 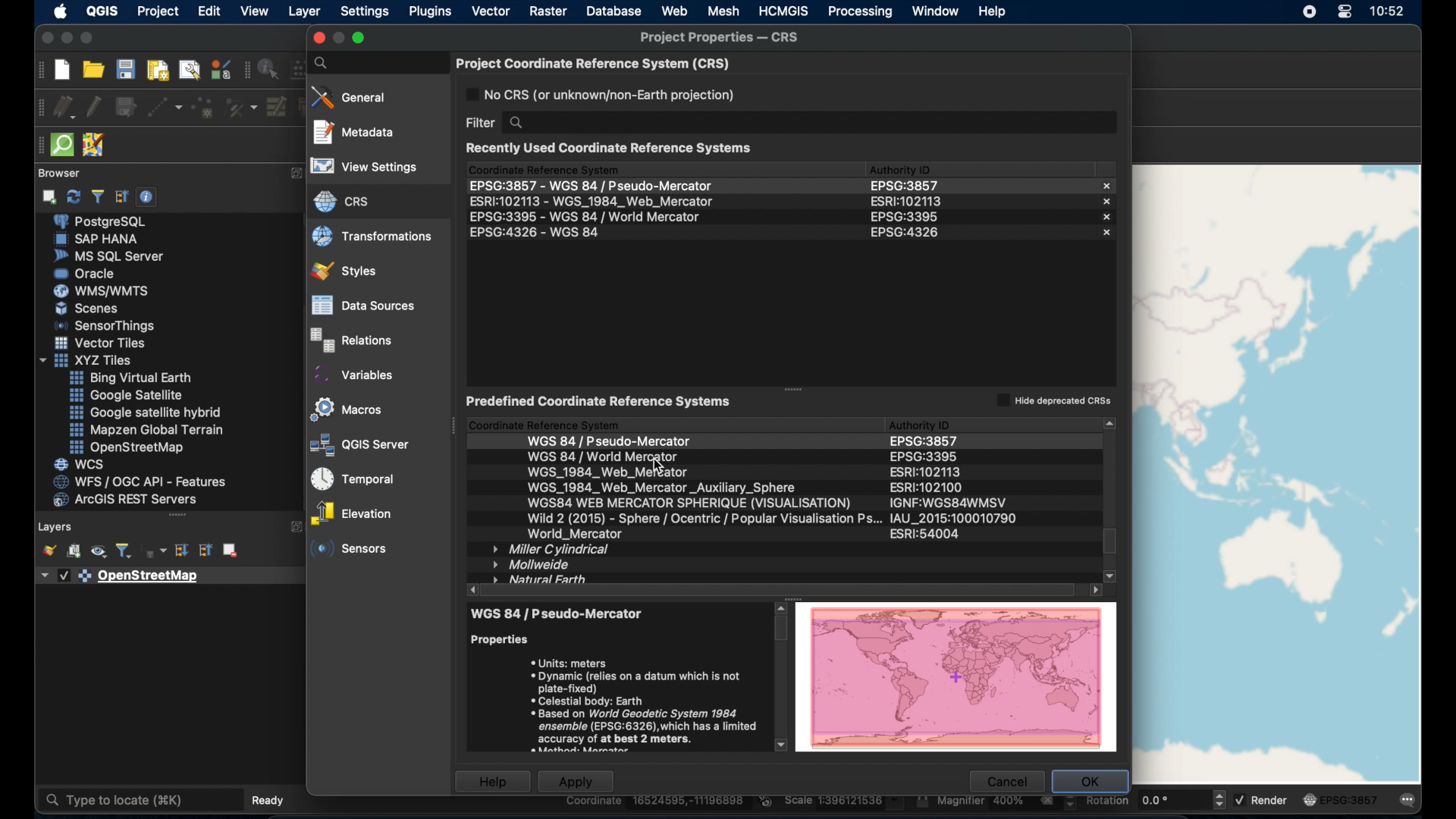 I want to click on relations, so click(x=351, y=338).